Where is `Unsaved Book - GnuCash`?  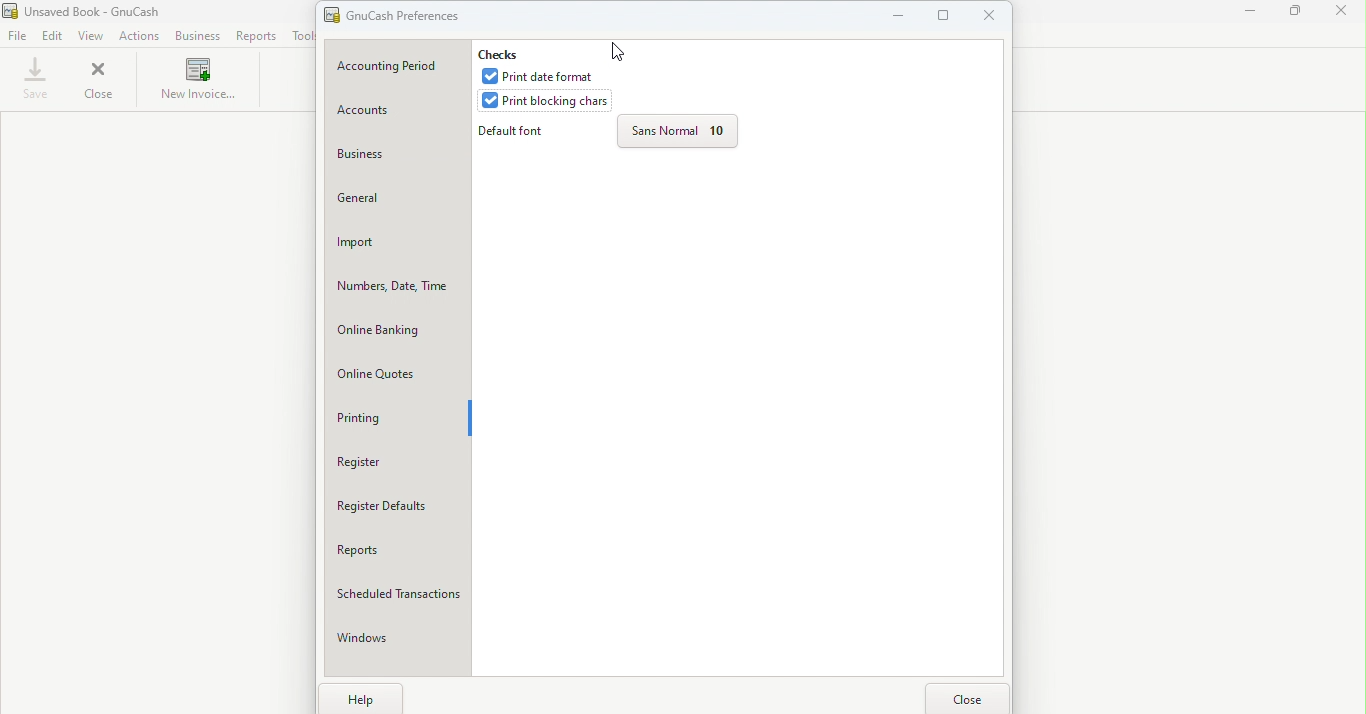
Unsaved Book - GnuCash is located at coordinates (106, 11).